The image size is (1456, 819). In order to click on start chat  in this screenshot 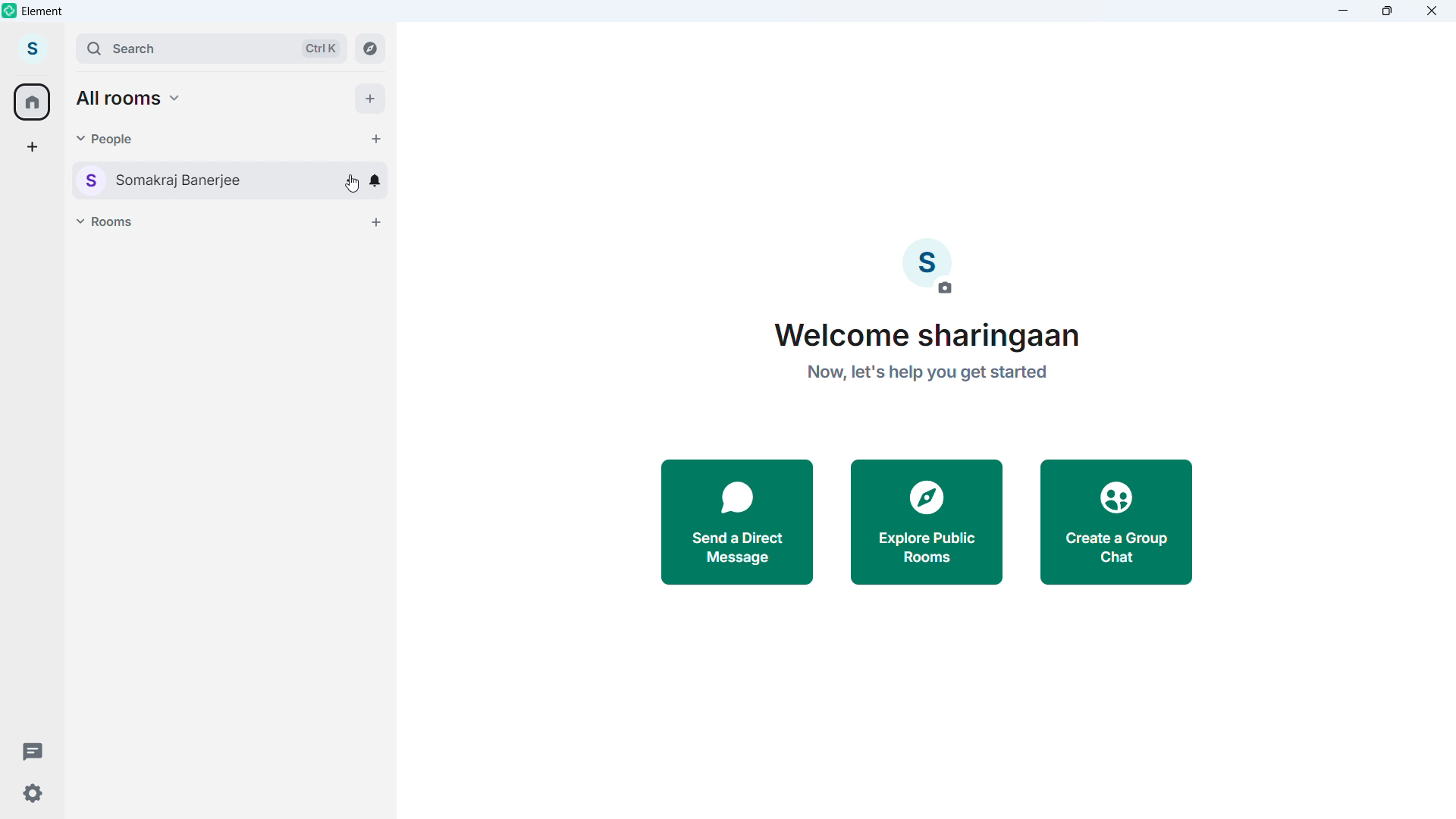, I will do `click(375, 139)`.